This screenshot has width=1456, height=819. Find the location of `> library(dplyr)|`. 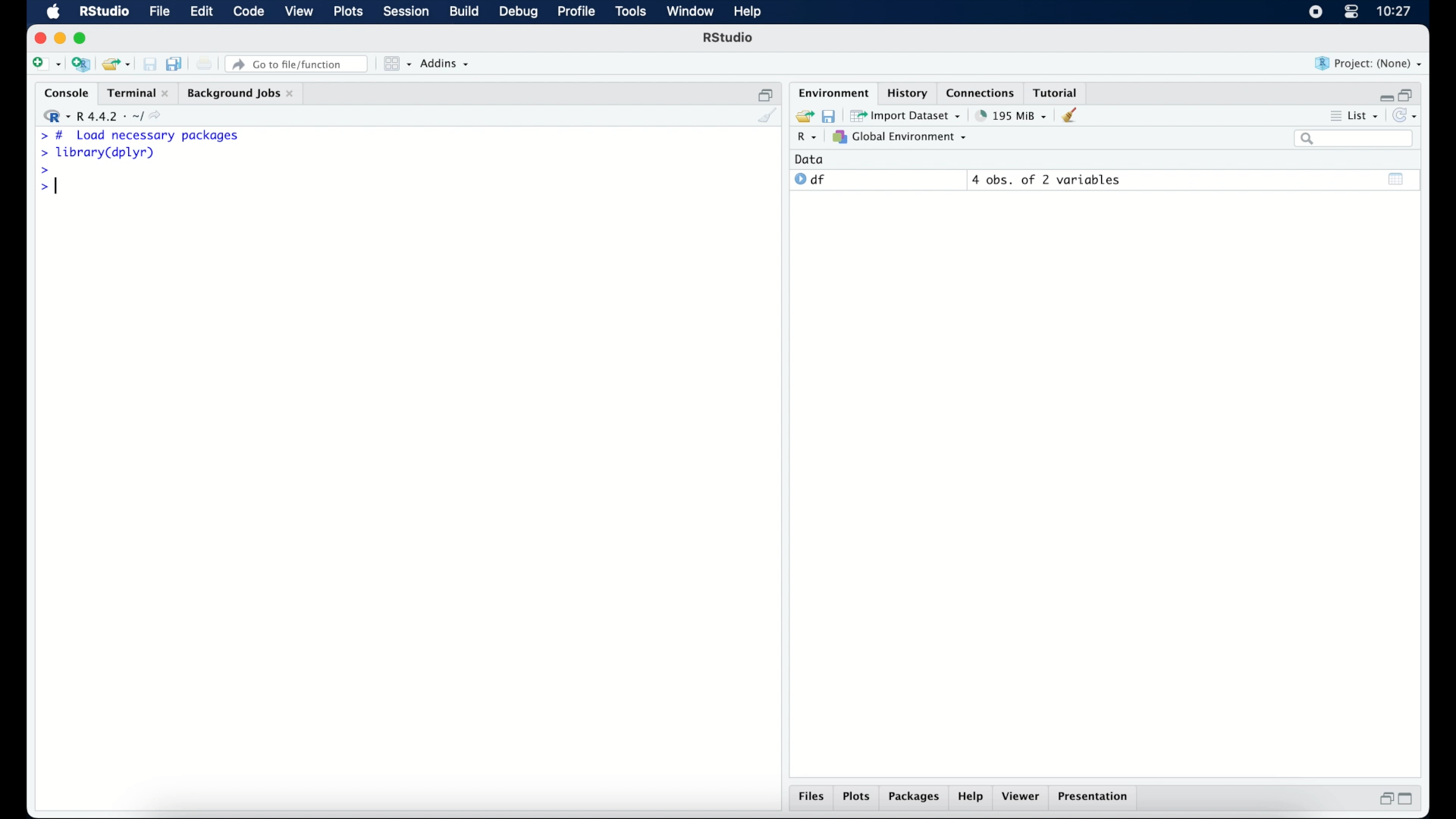

> library(dplyr)| is located at coordinates (101, 153).